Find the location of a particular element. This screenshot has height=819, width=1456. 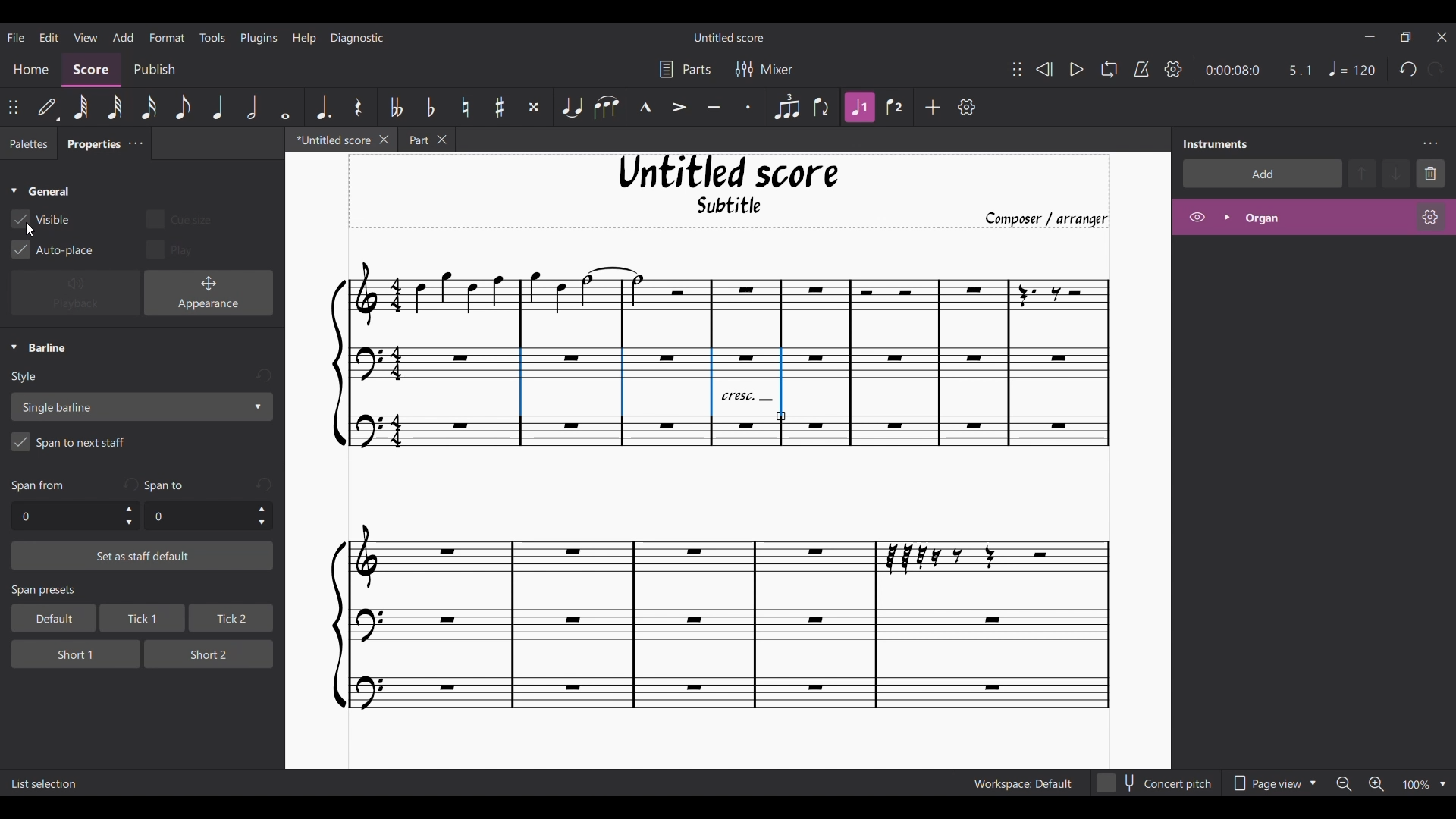

Properties tab, current selection is located at coordinates (89, 146).